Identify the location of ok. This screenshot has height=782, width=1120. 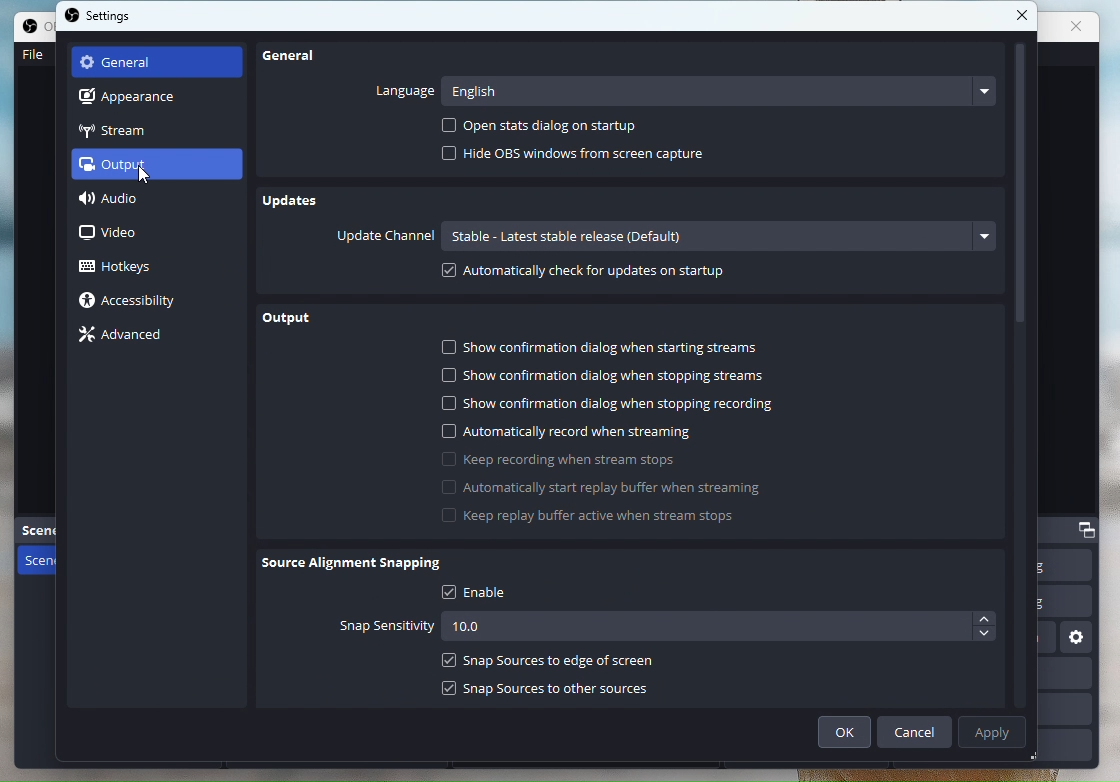
(845, 733).